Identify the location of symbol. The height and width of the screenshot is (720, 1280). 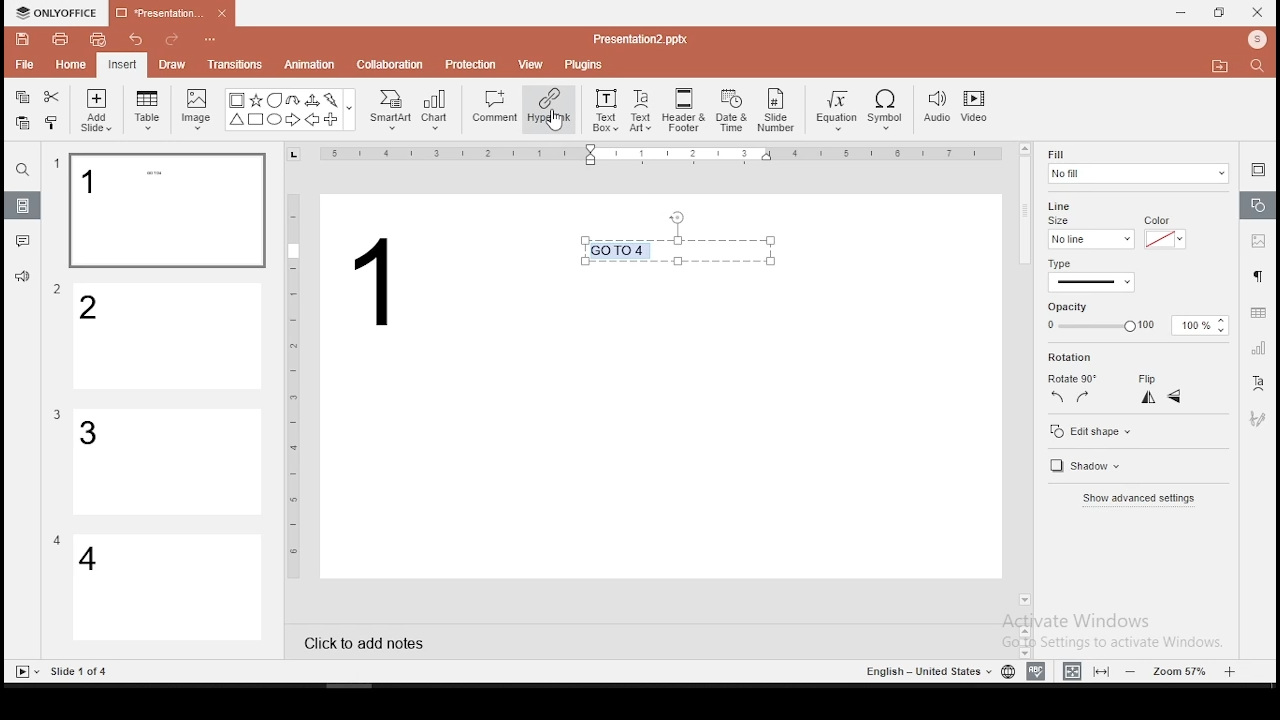
(889, 111).